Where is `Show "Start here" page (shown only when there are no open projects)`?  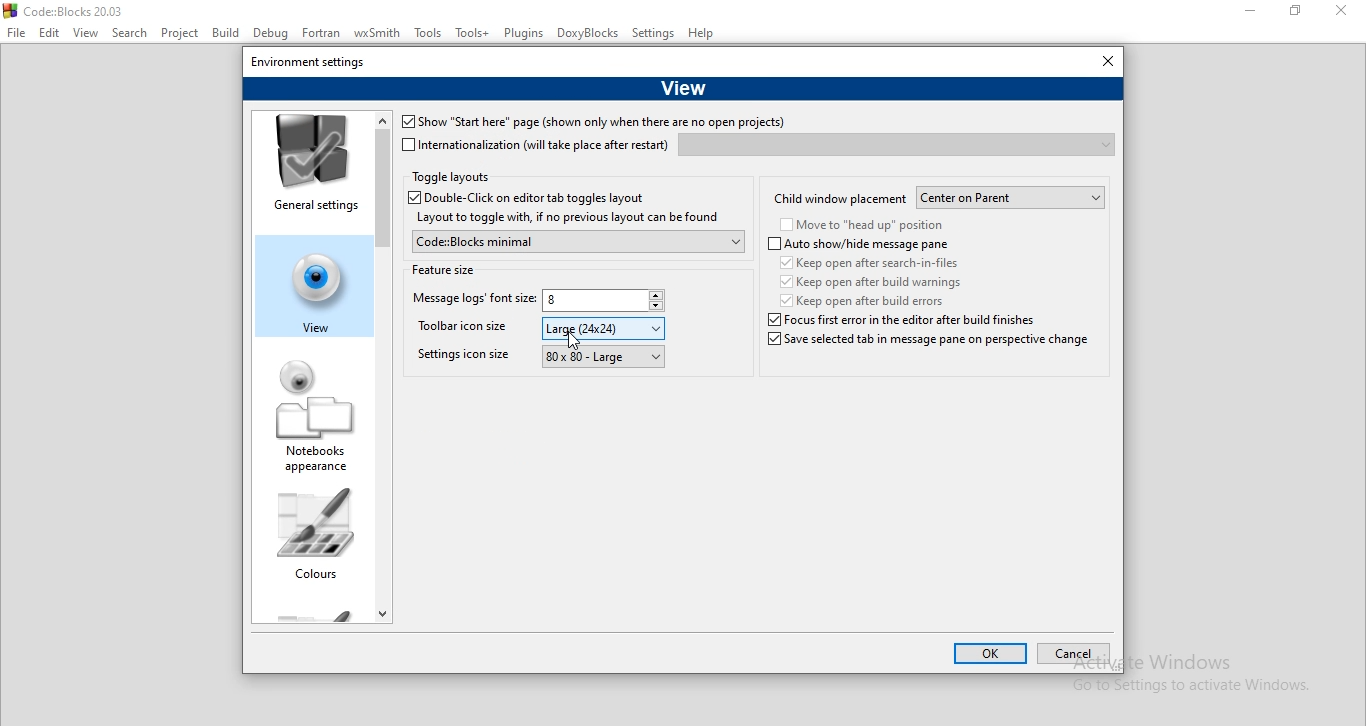 Show "Start here" page (shown only when there are no open projects) is located at coordinates (592, 123).